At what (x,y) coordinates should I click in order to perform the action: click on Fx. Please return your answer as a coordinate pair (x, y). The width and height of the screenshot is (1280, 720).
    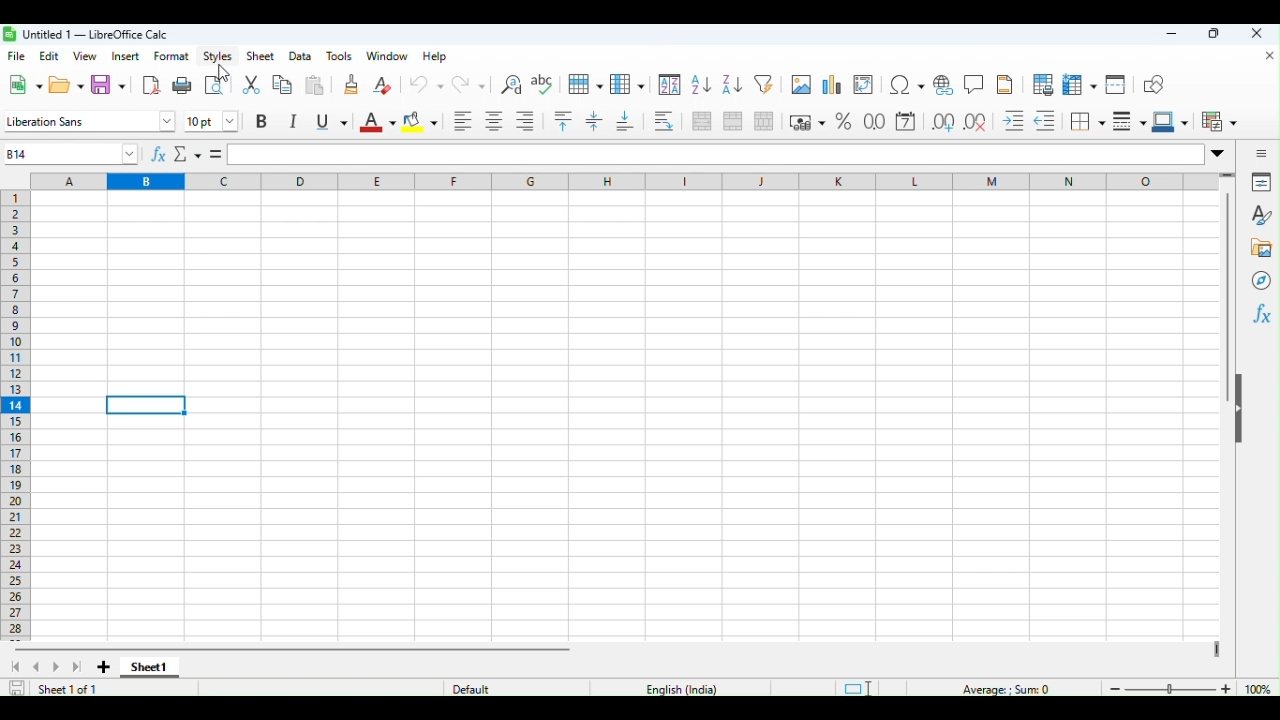
    Looking at the image, I should click on (1261, 313).